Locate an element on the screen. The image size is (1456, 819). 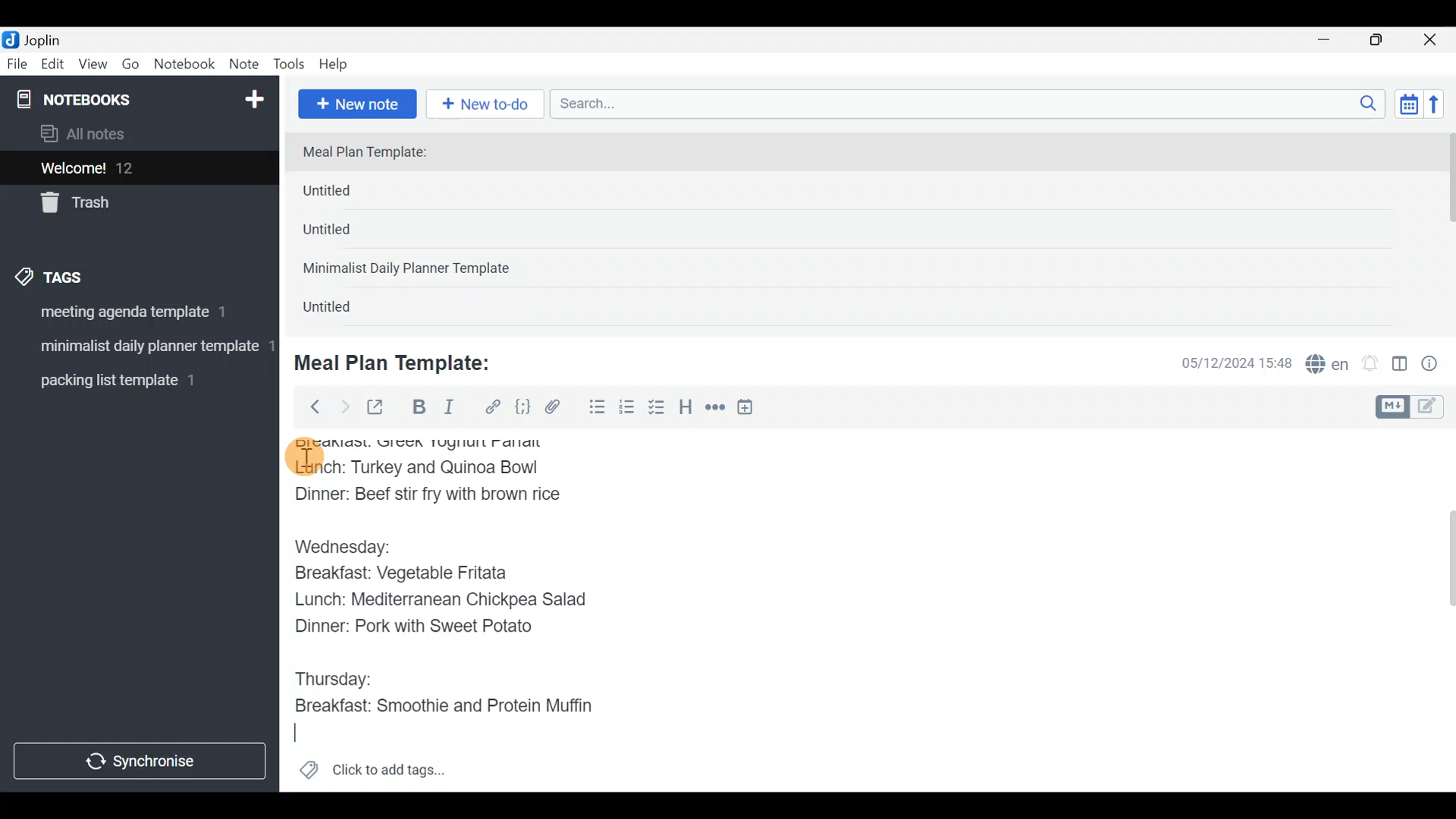
Numbered list is located at coordinates (627, 410).